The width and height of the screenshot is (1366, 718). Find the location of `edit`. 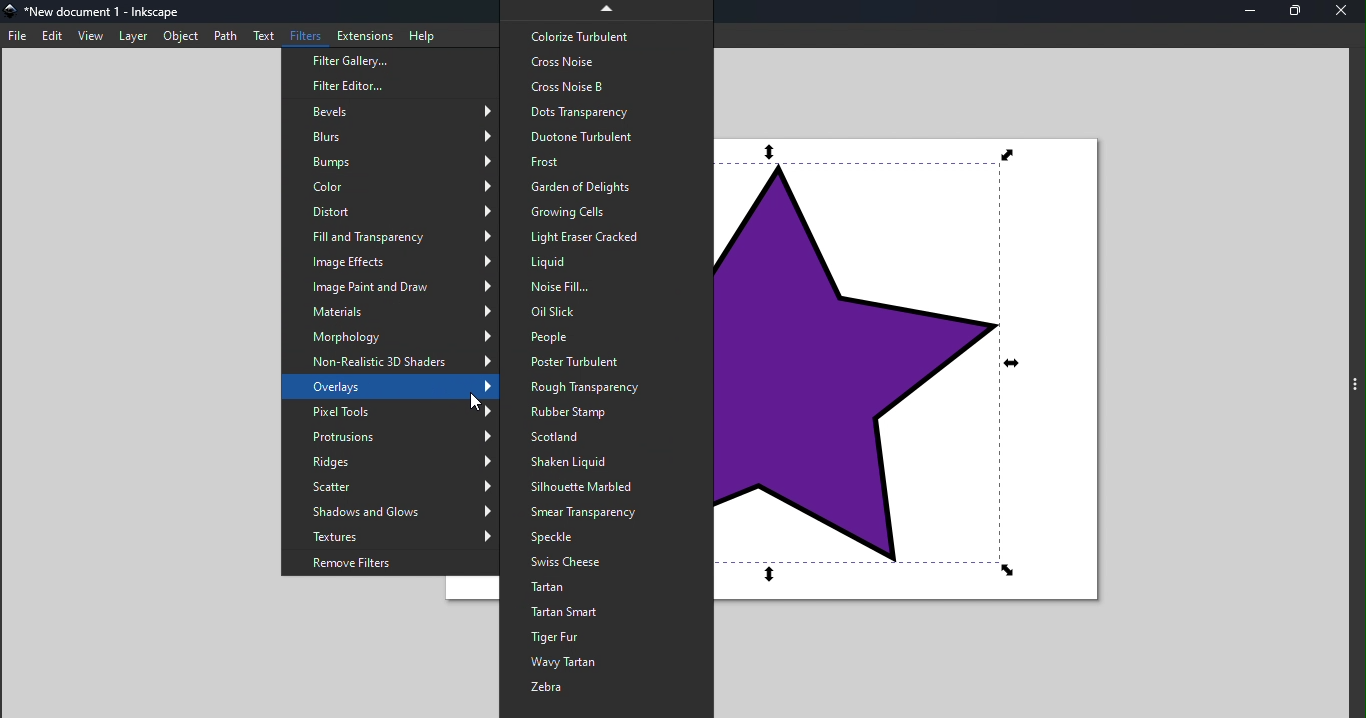

edit is located at coordinates (49, 35).